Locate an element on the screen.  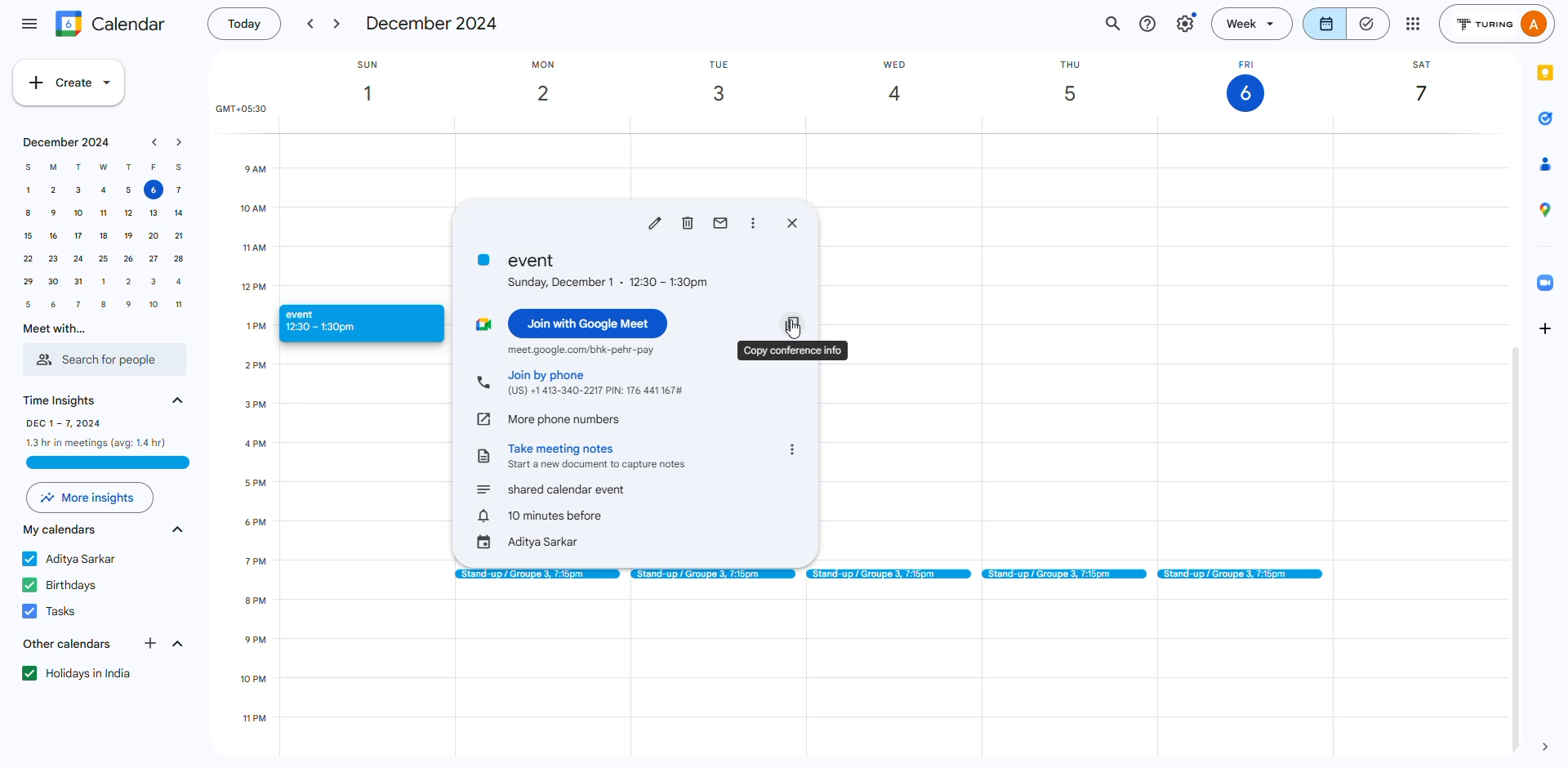
event is located at coordinates (345, 323).